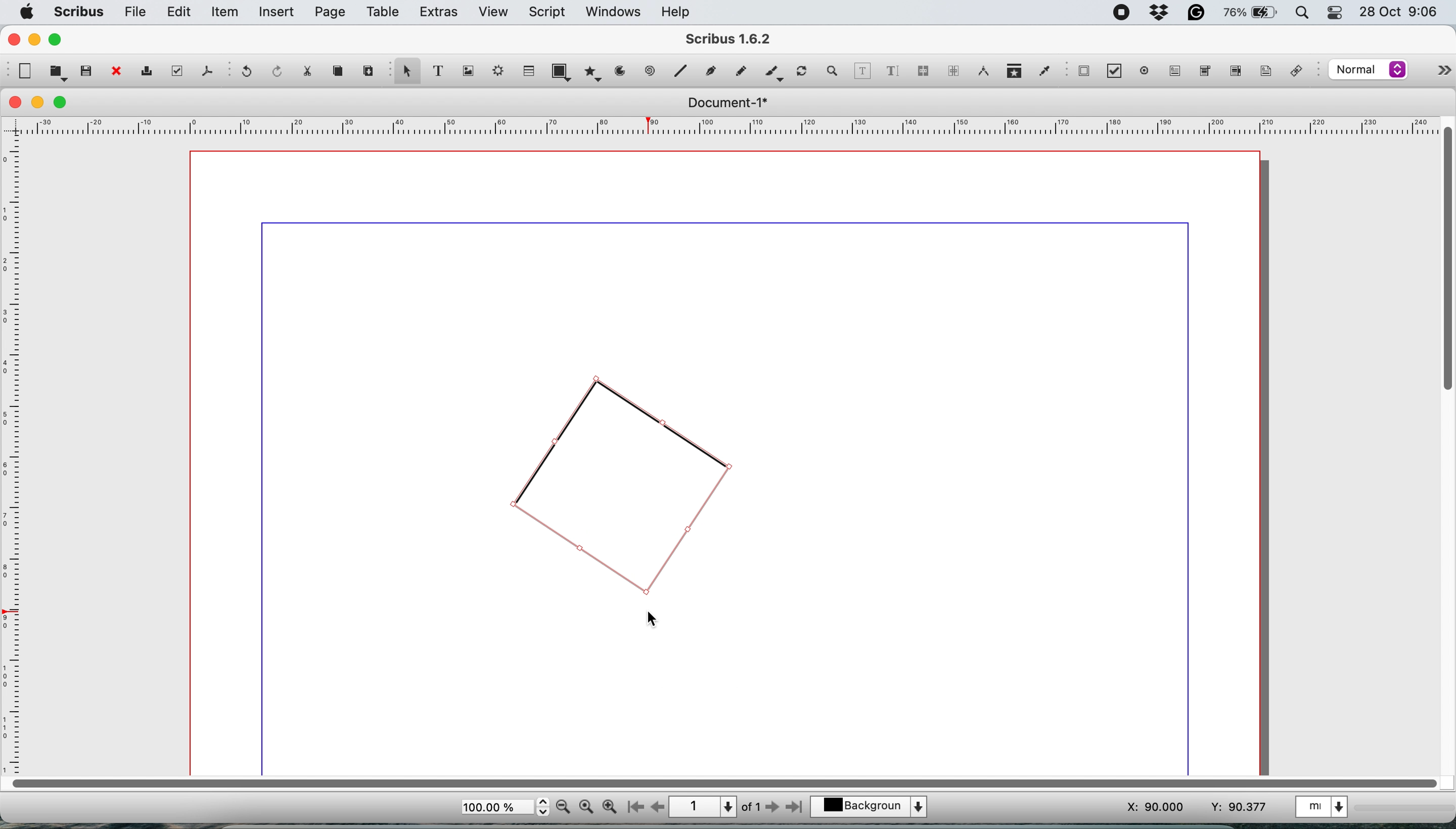  What do you see at coordinates (634, 807) in the screenshot?
I see `go to first page` at bounding box center [634, 807].